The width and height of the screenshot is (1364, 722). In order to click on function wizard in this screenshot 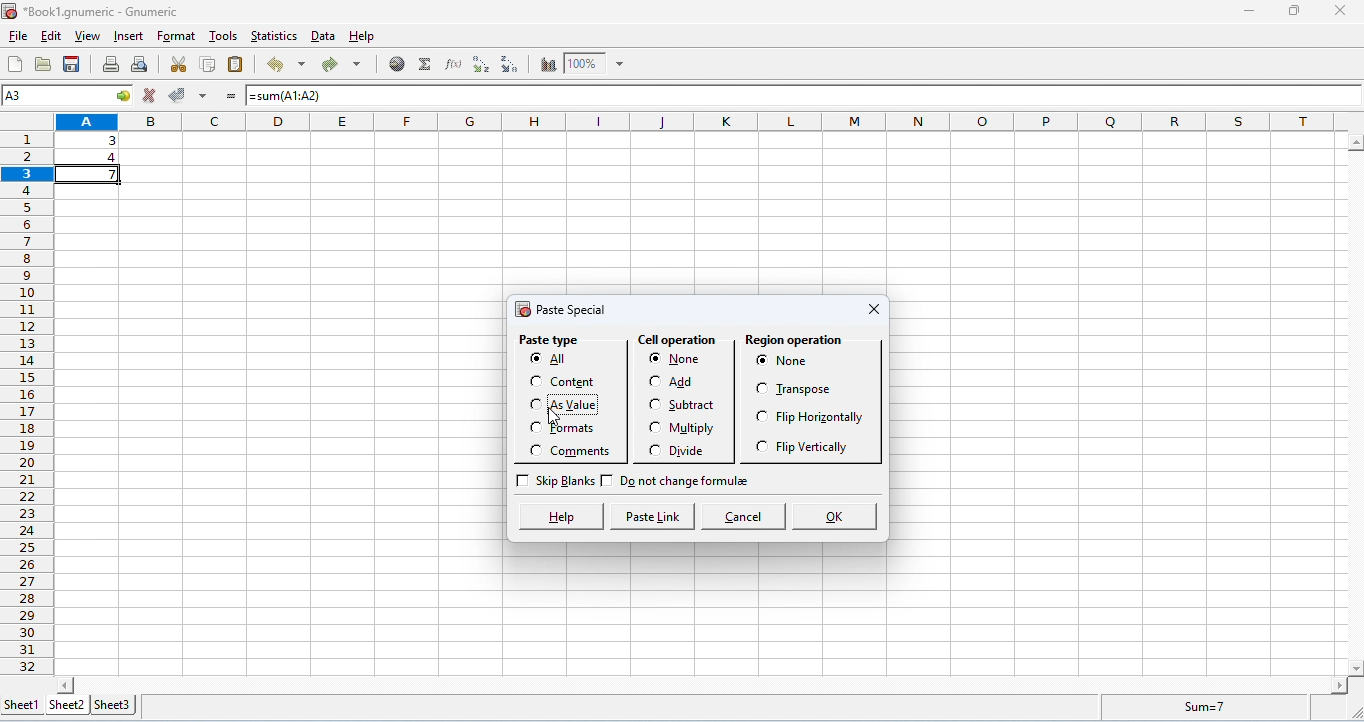, I will do `click(452, 64)`.